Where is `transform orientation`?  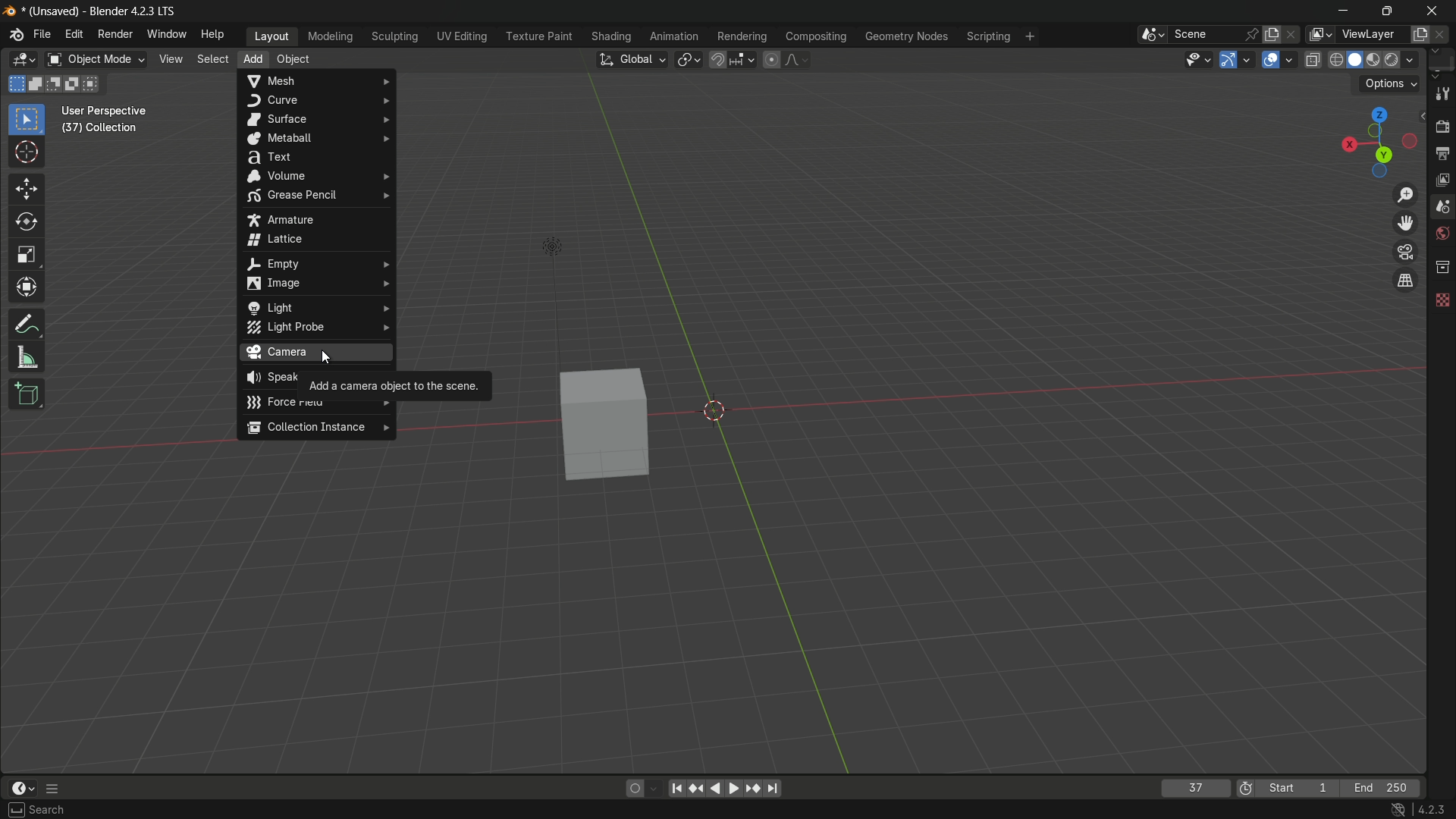
transform orientation is located at coordinates (633, 61).